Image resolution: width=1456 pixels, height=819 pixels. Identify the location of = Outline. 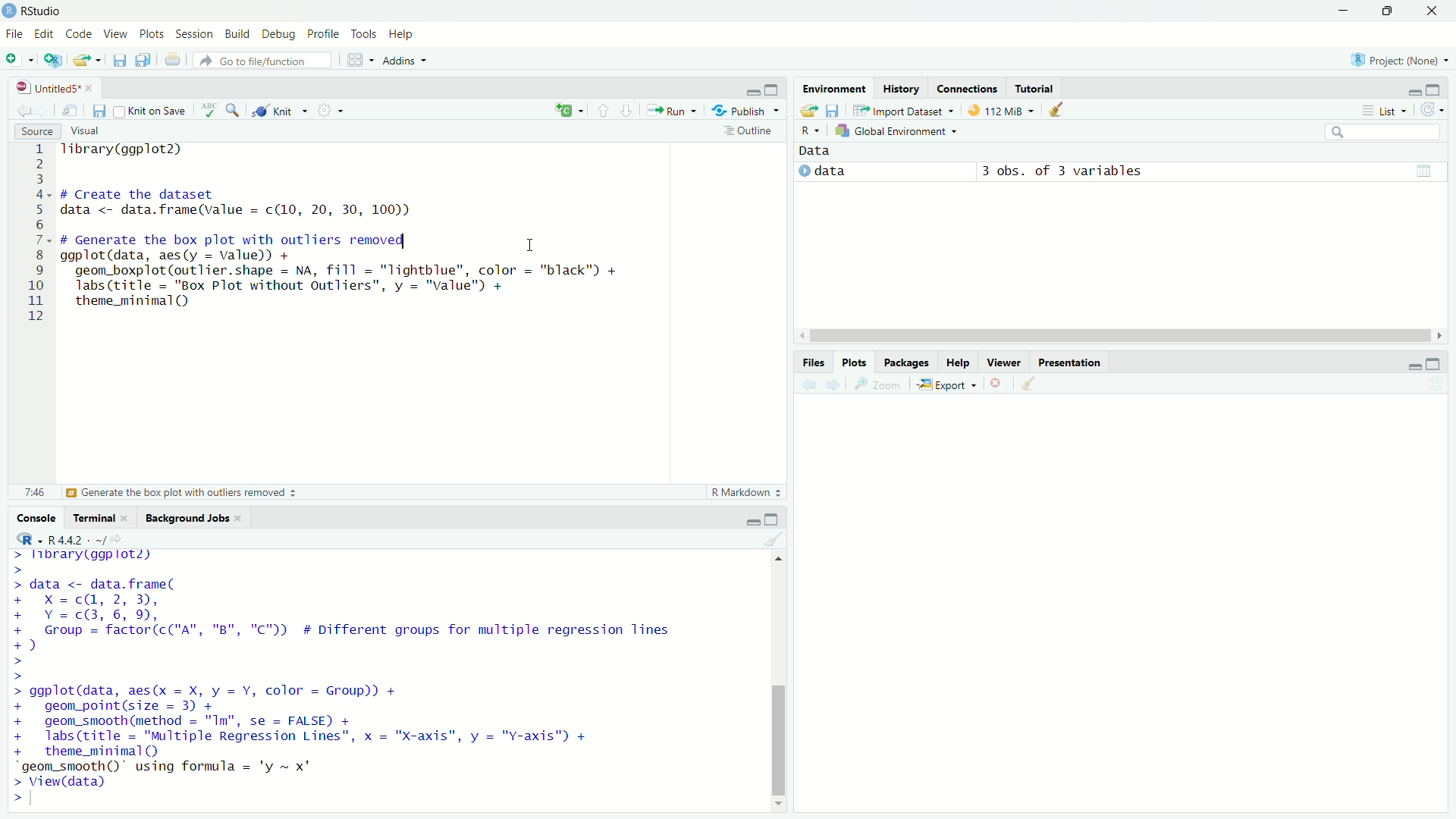
(748, 130).